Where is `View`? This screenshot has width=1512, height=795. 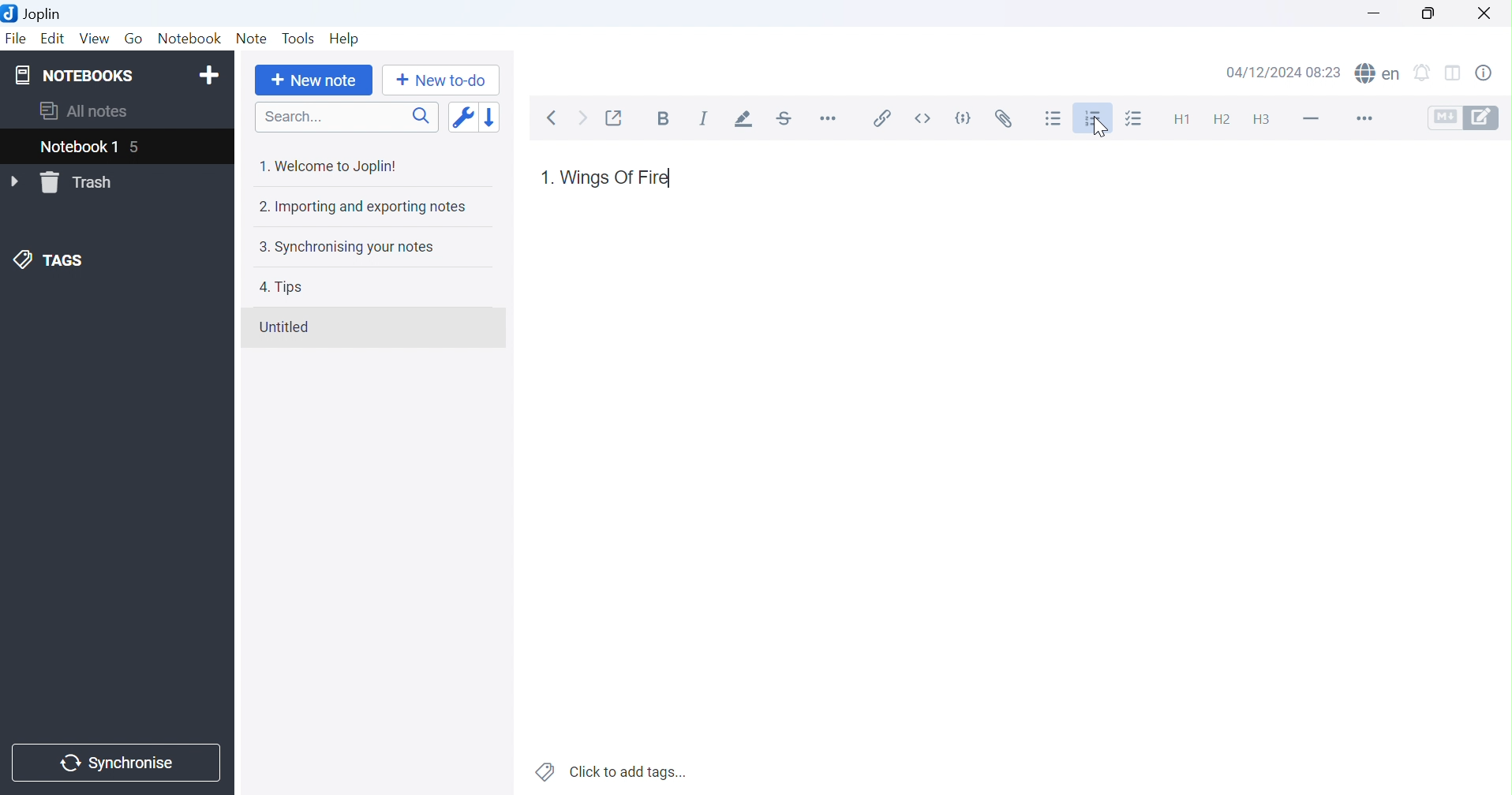
View is located at coordinates (96, 38).